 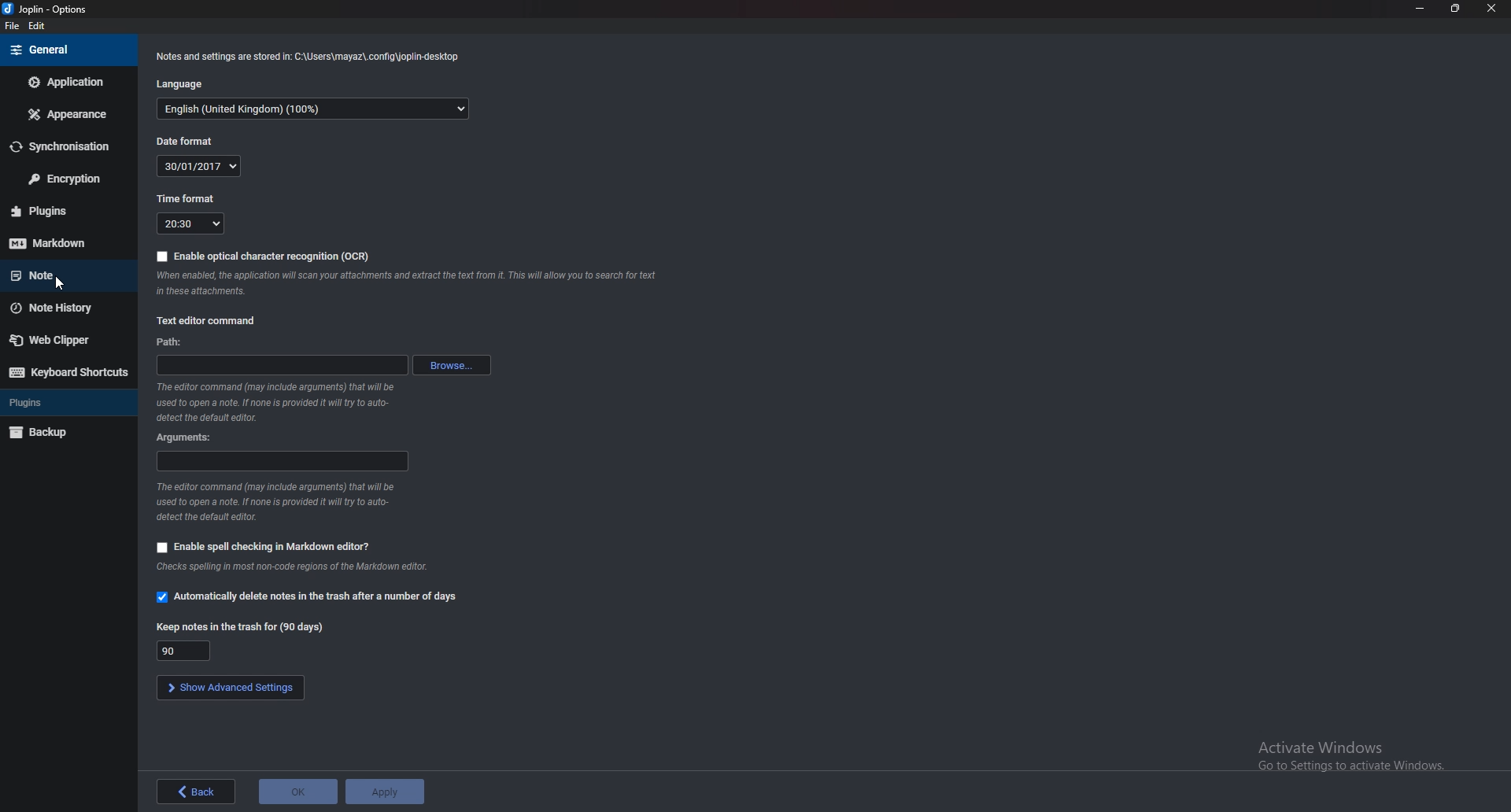 What do you see at coordinates (63, 401) in the screenshot?
I see `Plugins` at bounding box center [63, 401].